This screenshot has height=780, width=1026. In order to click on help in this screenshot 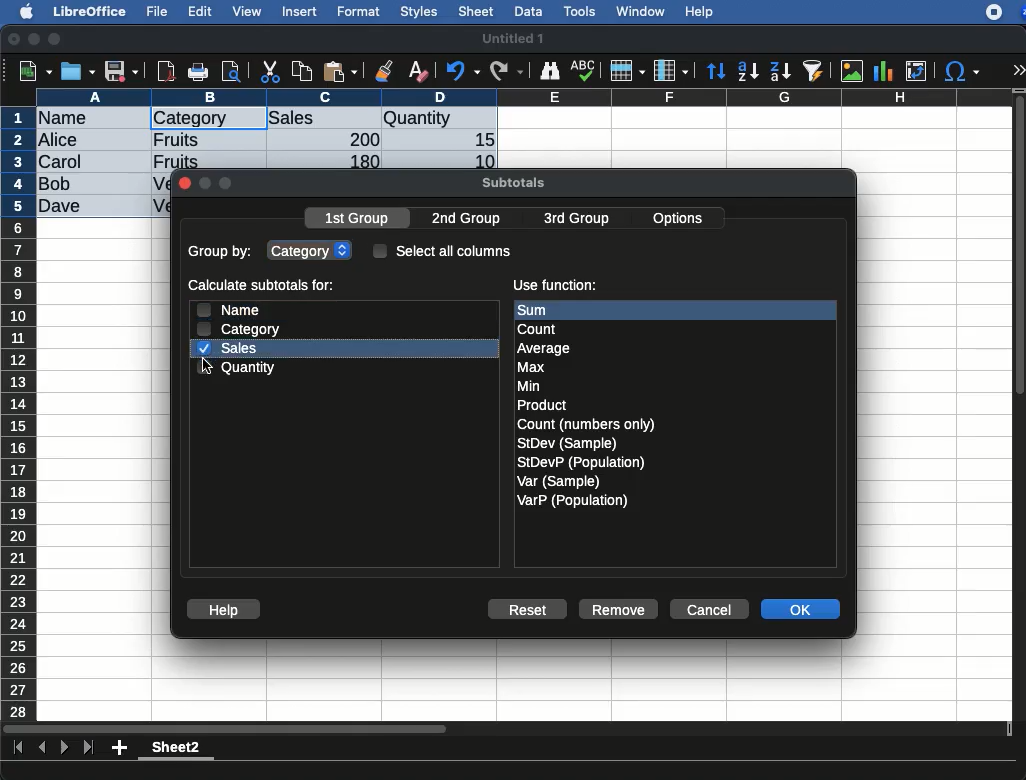, I will do `click(224, 610)`.